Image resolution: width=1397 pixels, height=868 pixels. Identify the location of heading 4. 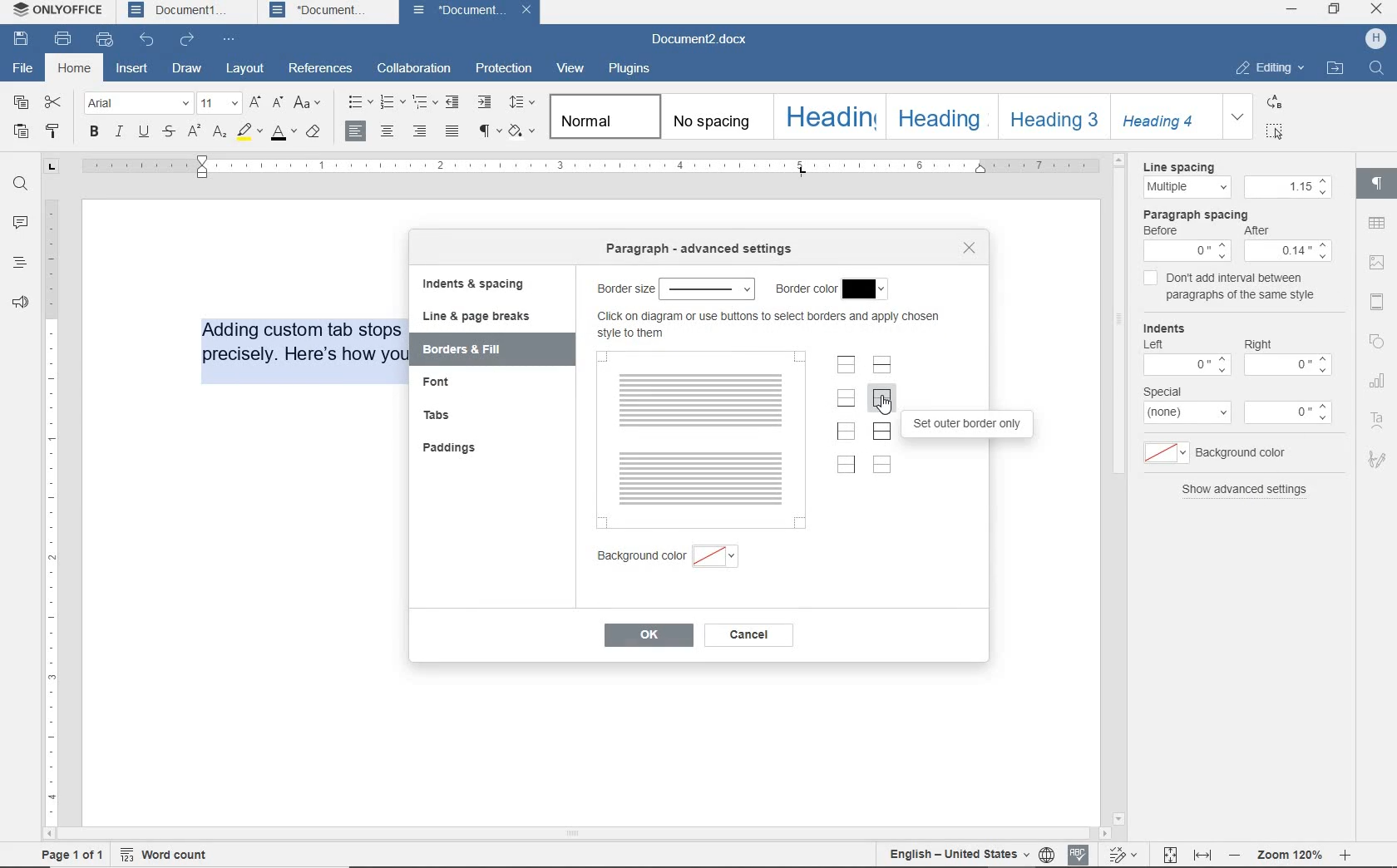
(1167, 117).